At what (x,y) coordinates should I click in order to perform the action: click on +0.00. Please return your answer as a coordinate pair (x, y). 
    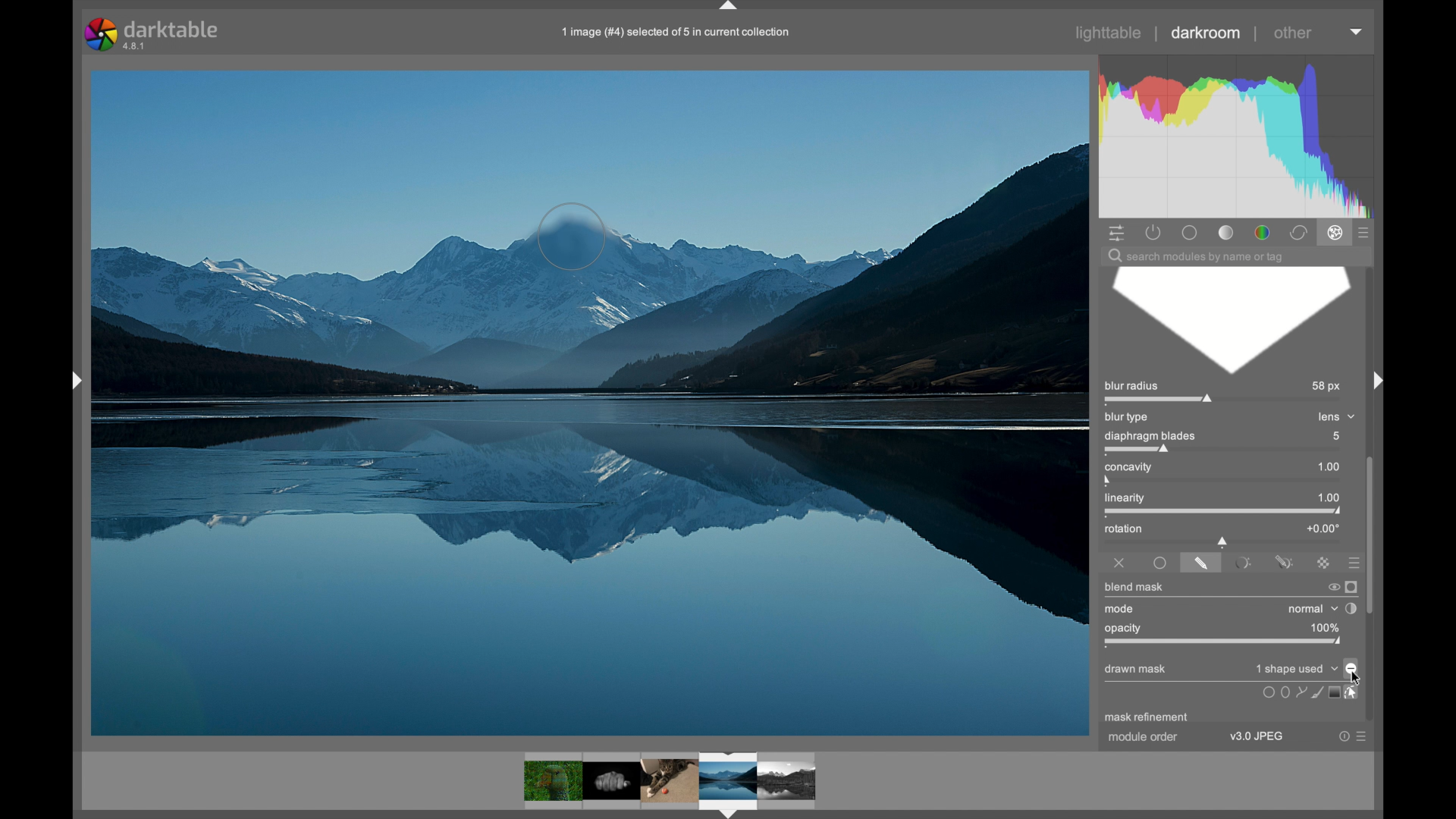
    Looking at the image, I should click on (1323, 527).